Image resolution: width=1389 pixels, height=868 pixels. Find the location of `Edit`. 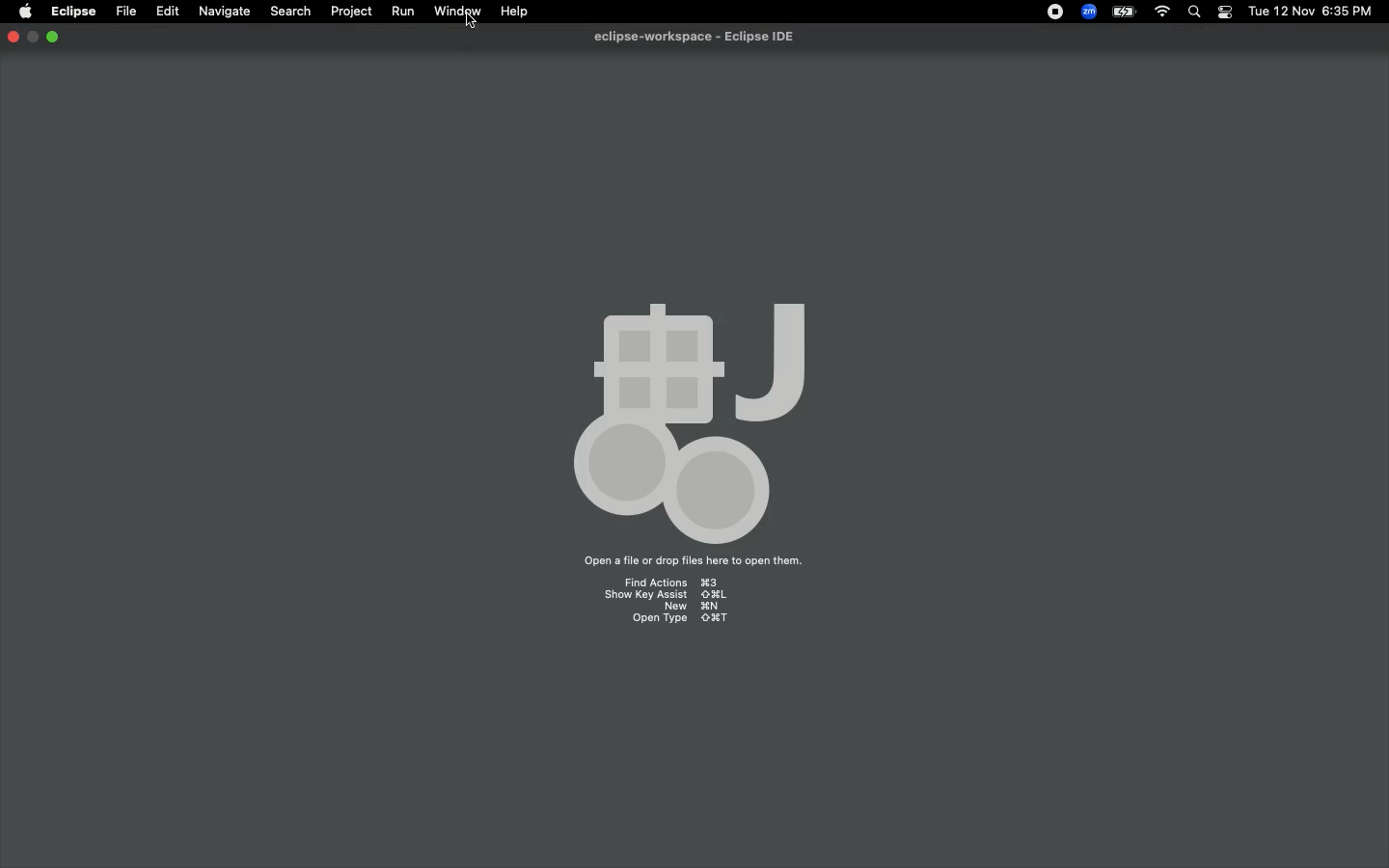

Edit is located at coordinates (168, 12).